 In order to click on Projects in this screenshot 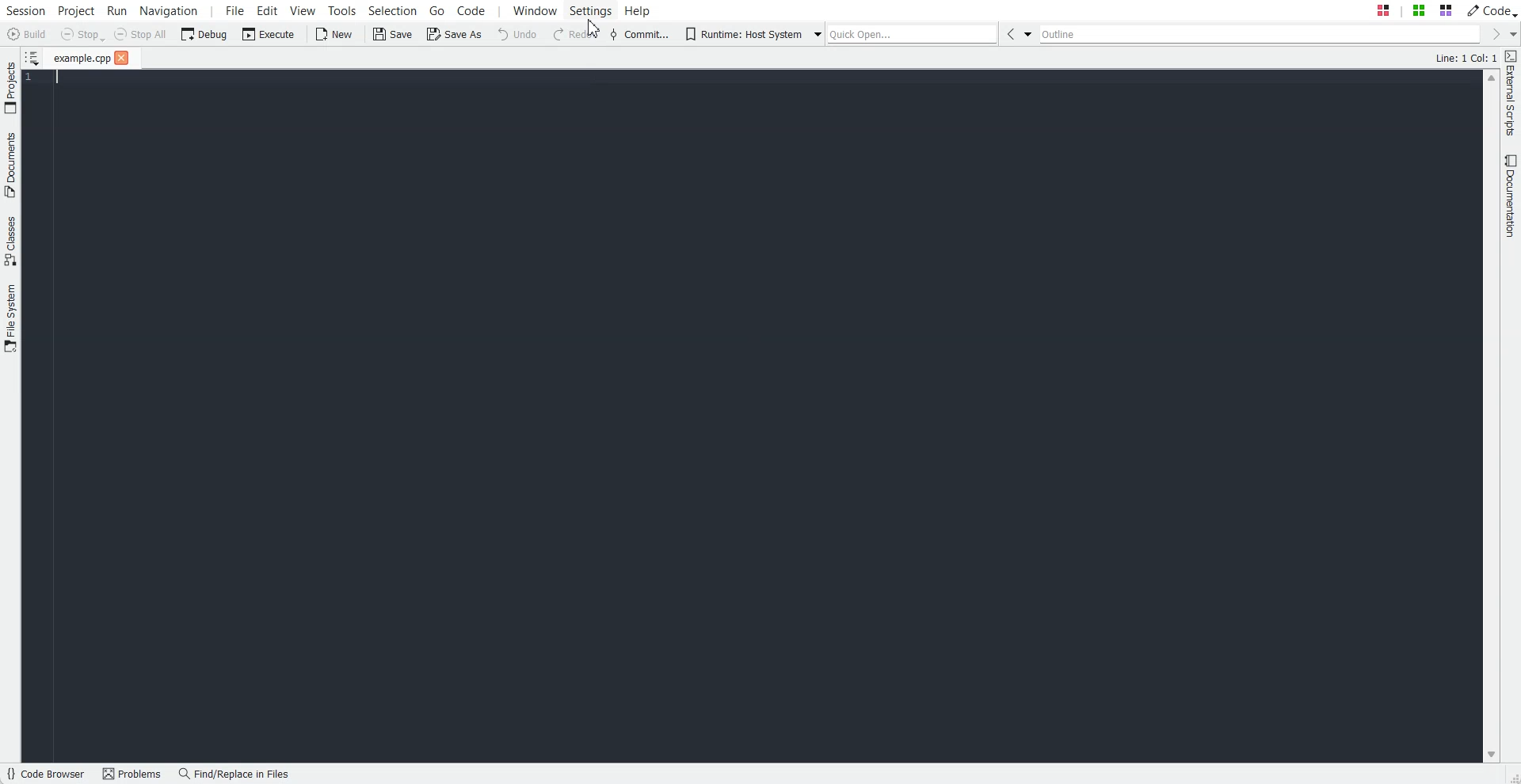, I will do `click(10, 87)`.